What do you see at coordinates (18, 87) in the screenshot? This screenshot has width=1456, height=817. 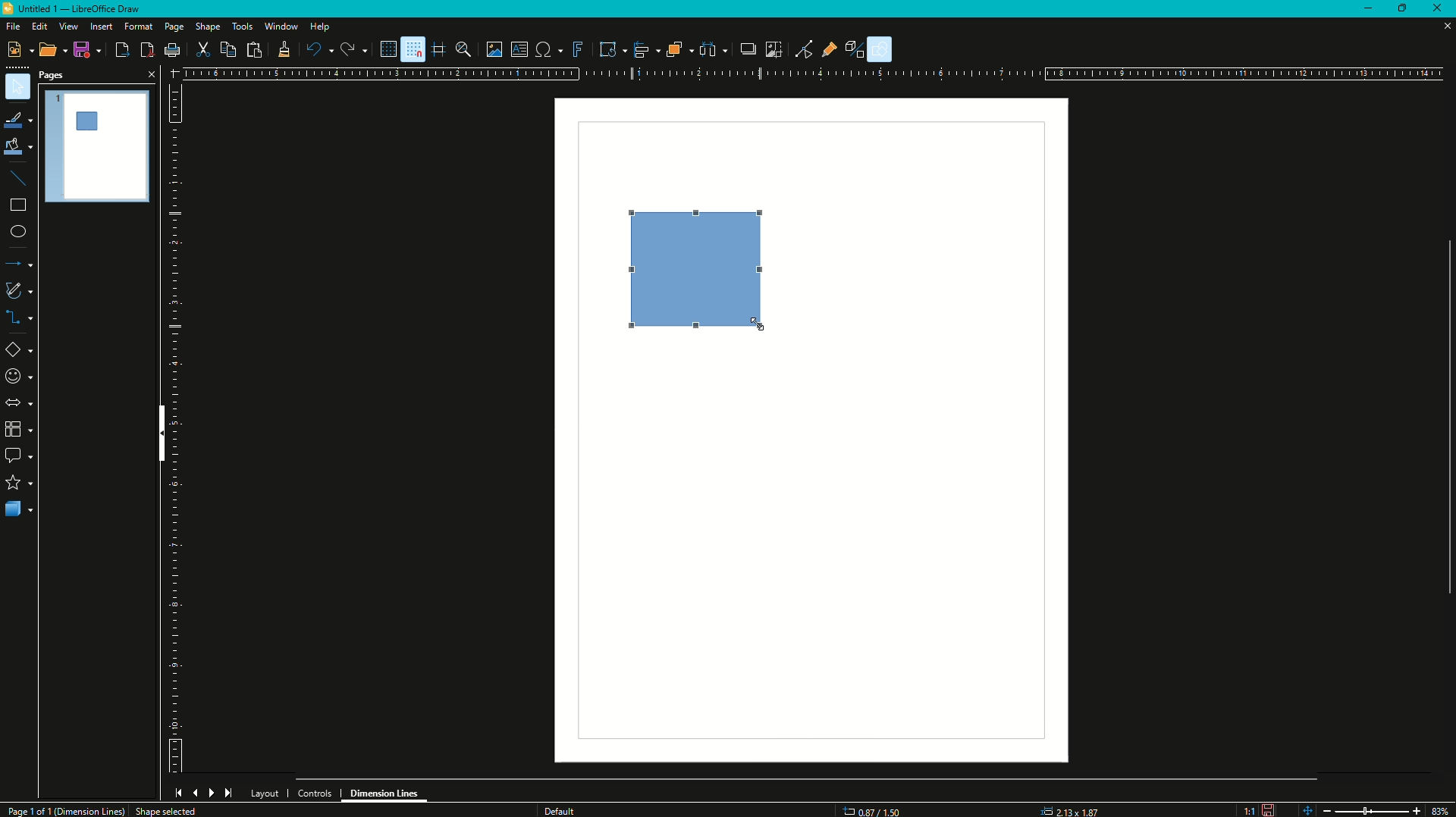 I see `Select` at bounding box center [18, 87].